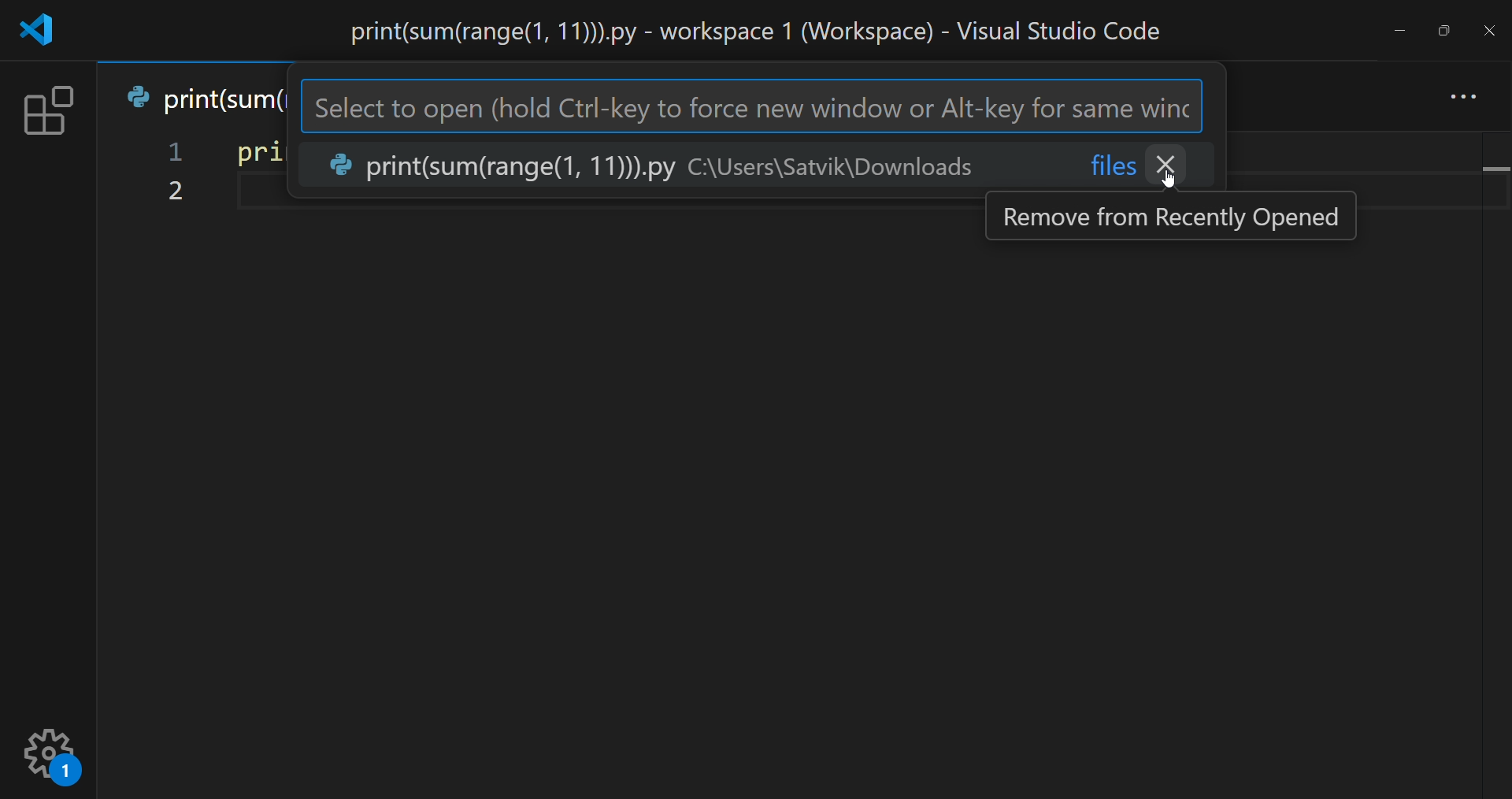  I want to click on » print(sum(range(1, 11))).py C:\Users\Satvik\Downloads, so click(654, 166).